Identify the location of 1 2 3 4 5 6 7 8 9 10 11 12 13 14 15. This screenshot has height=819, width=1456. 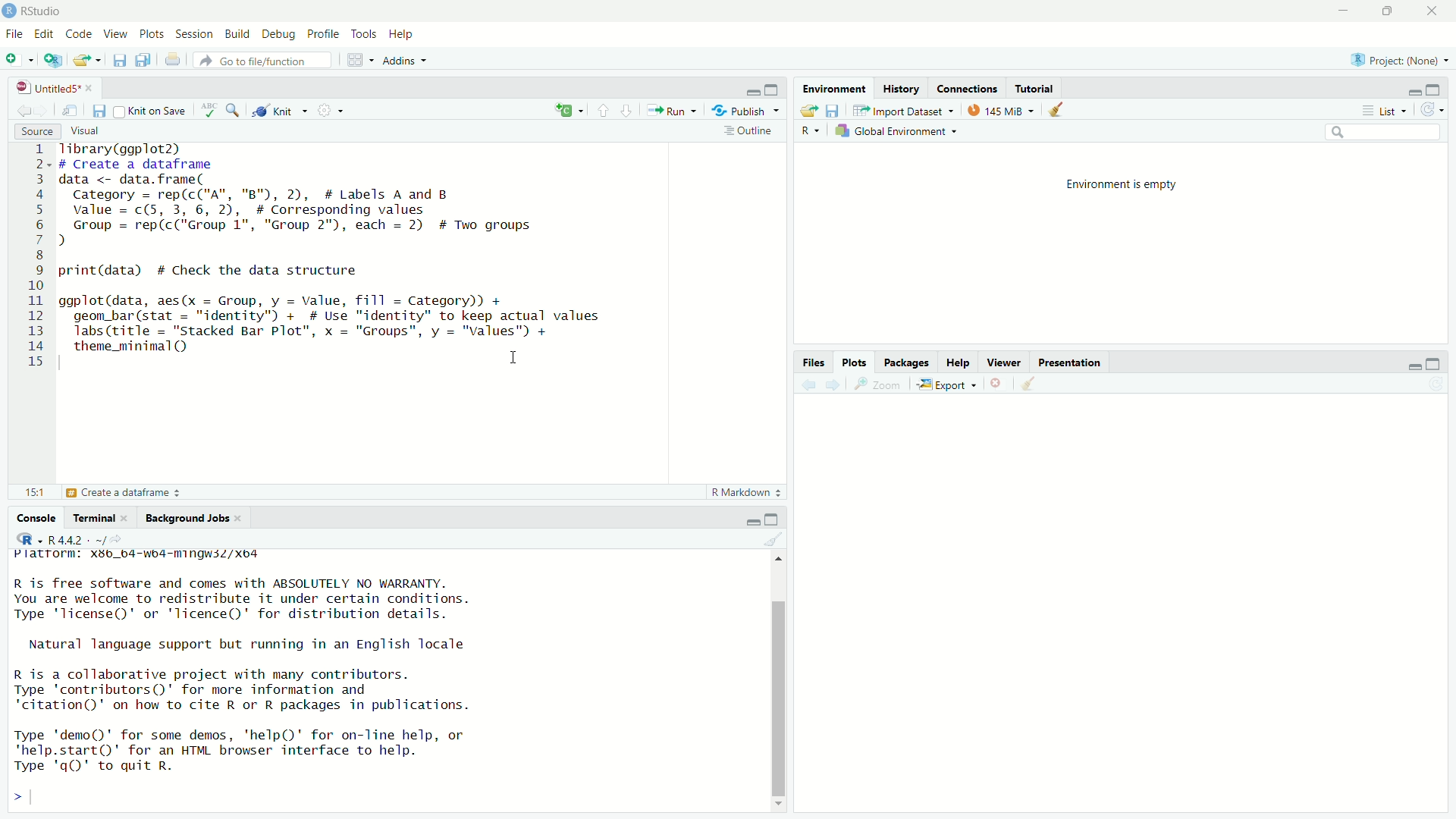
(37, 257).